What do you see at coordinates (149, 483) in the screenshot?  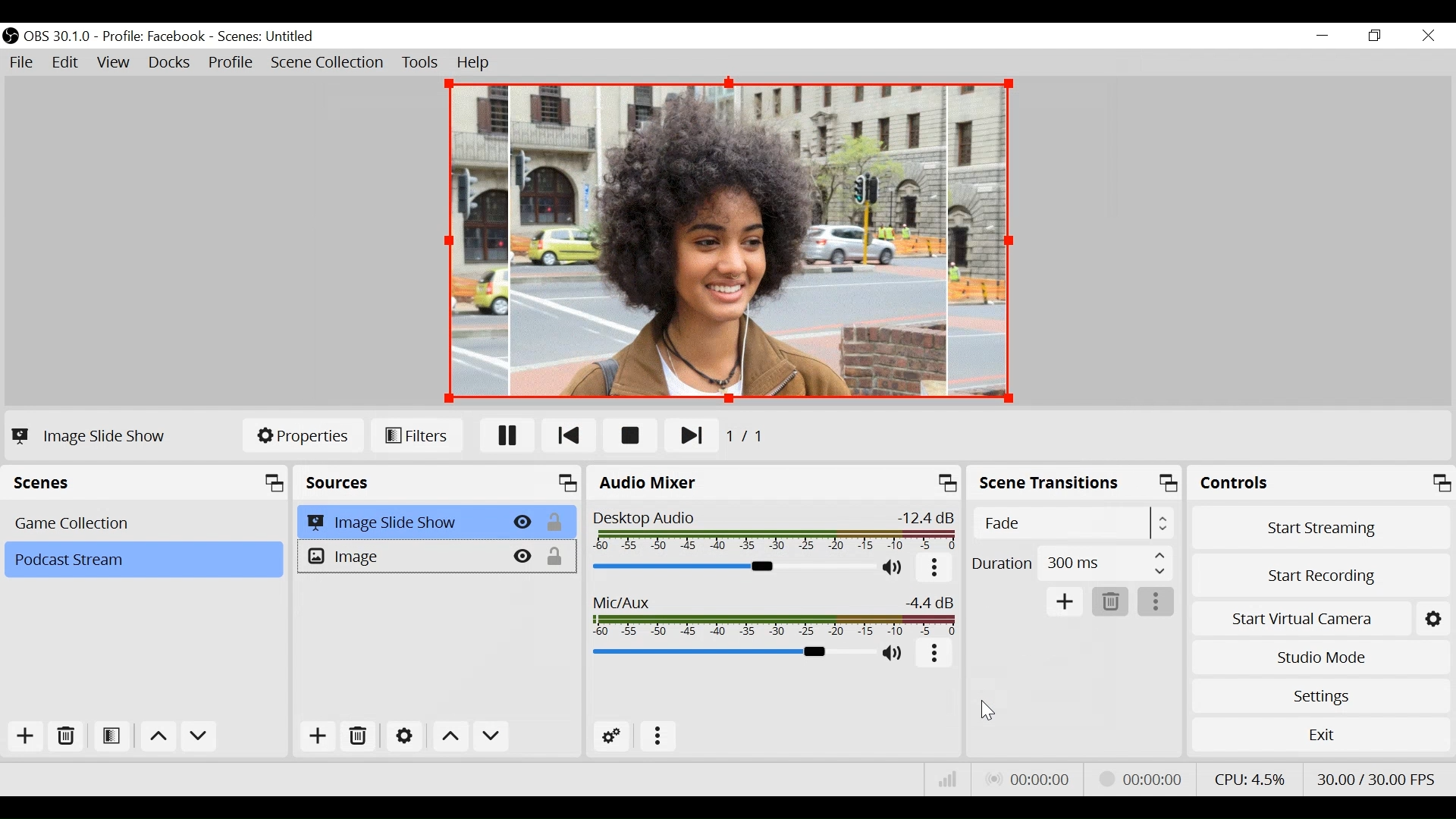 I see `Scenes` at bounding box center [149, 483].